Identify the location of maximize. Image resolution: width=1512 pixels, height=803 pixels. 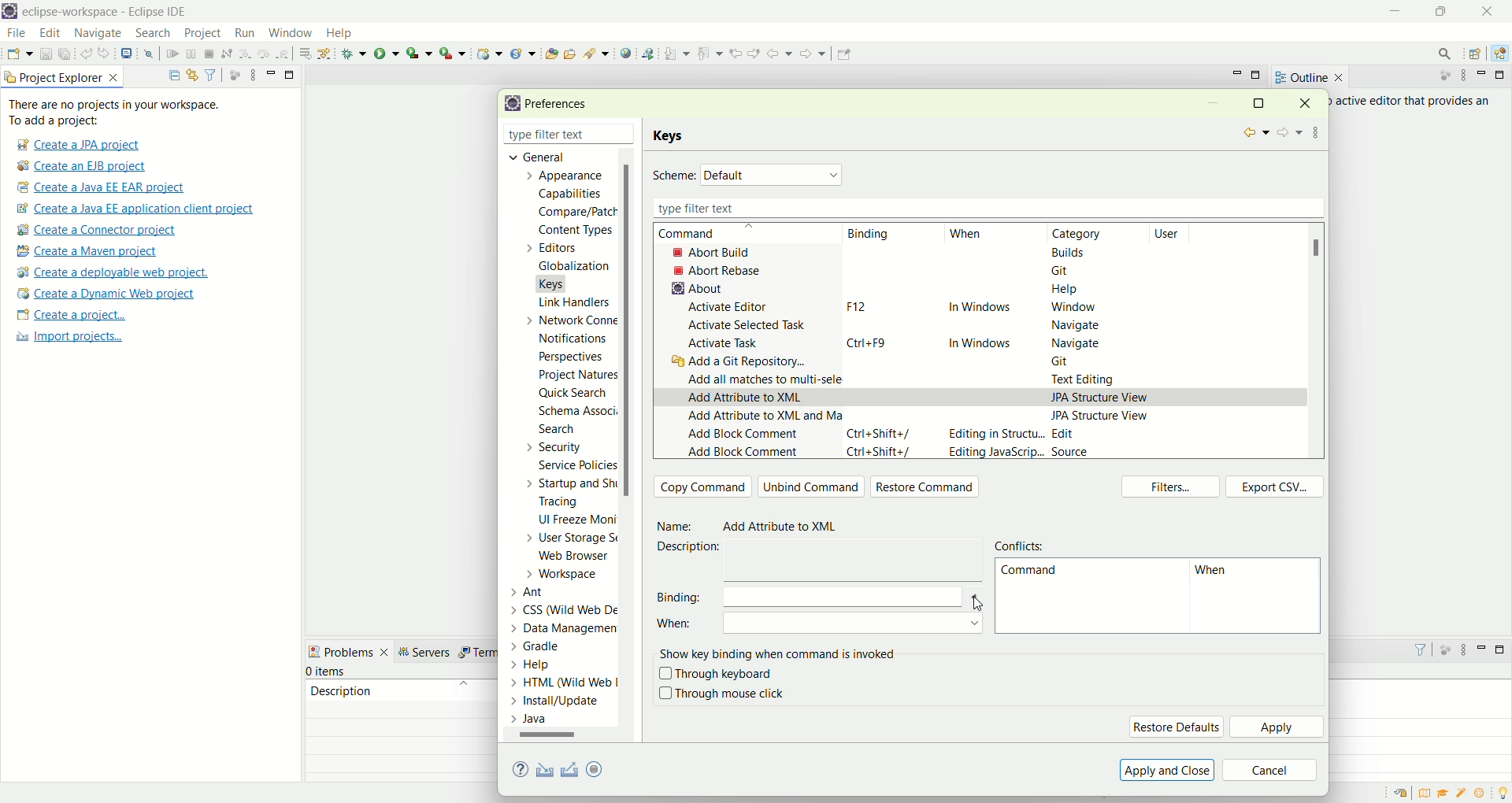
(1503, 75).